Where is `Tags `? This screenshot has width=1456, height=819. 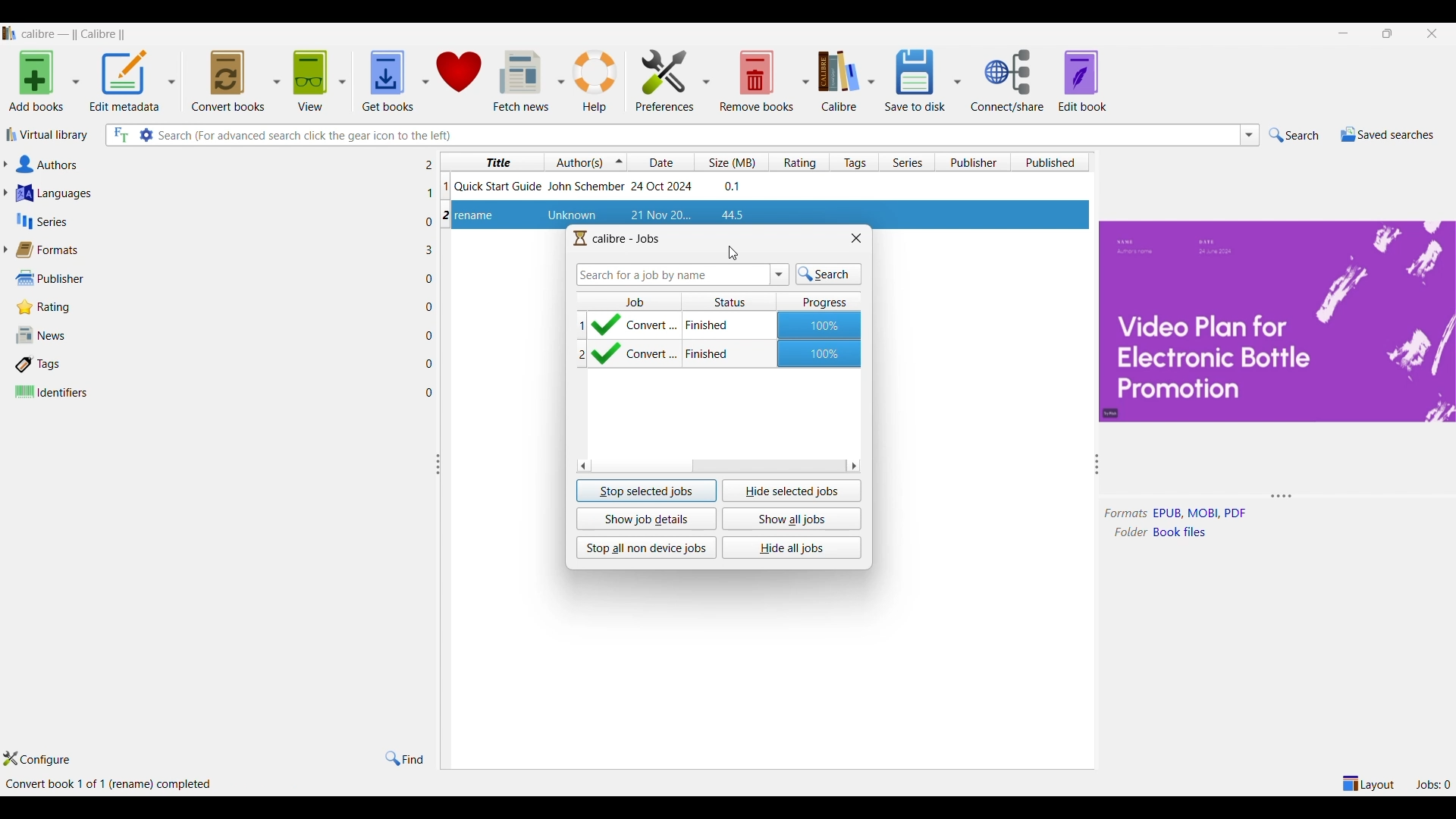 Tags  is located at coordinates (215, 366).